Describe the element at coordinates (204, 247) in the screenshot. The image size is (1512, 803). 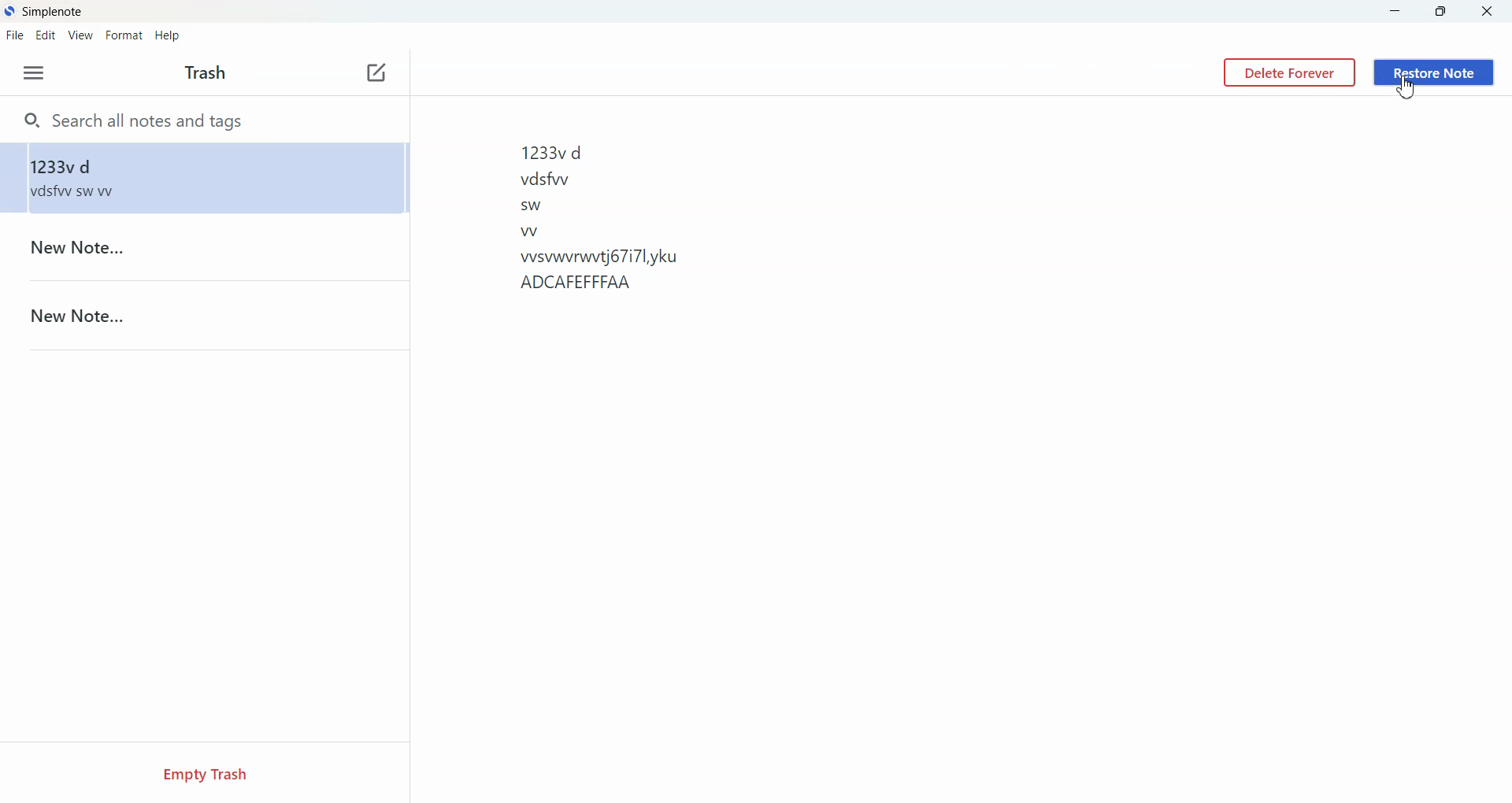
I see `New Note` at that location.